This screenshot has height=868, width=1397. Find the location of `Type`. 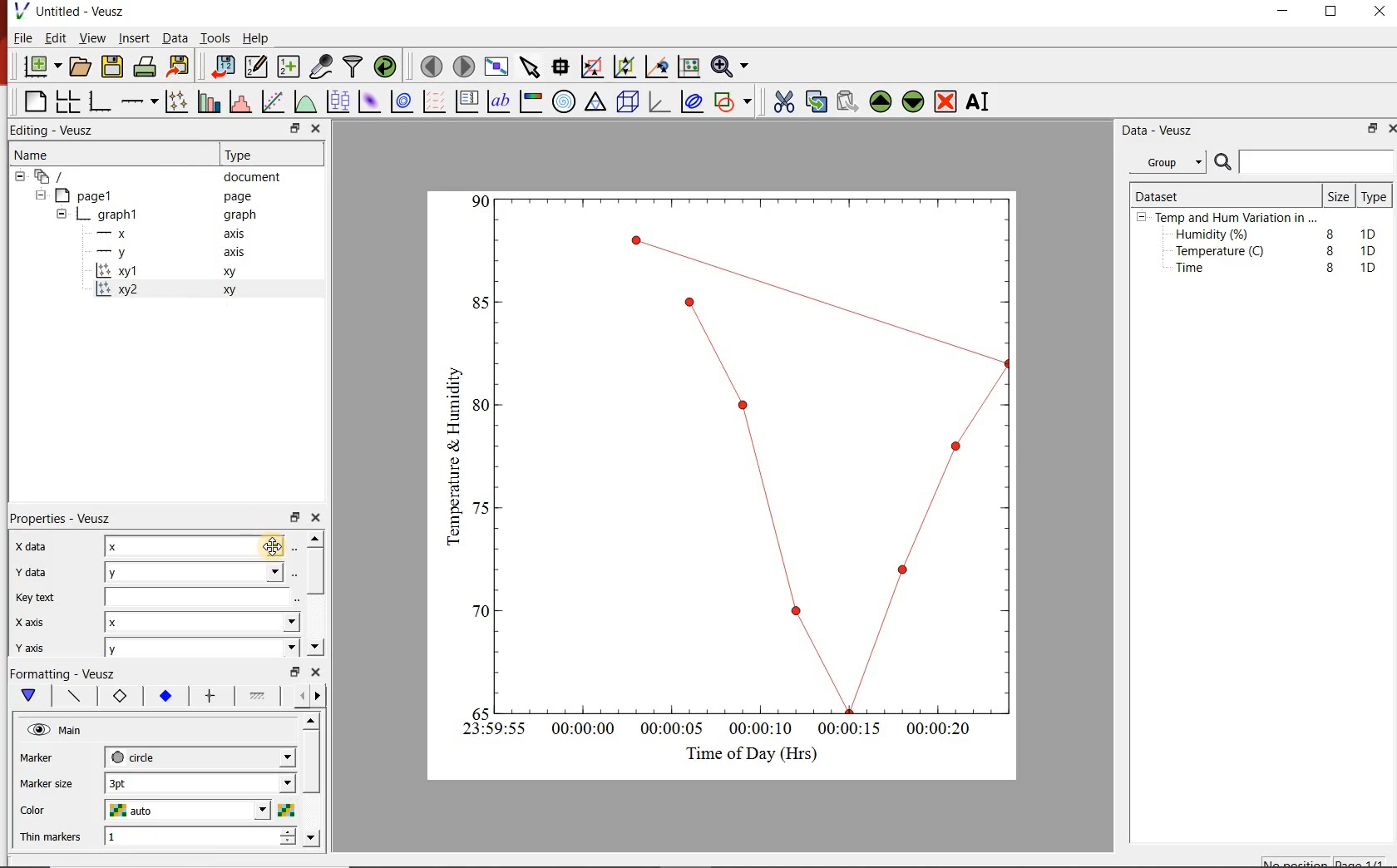

Type is located at coordinates (1375, 198).